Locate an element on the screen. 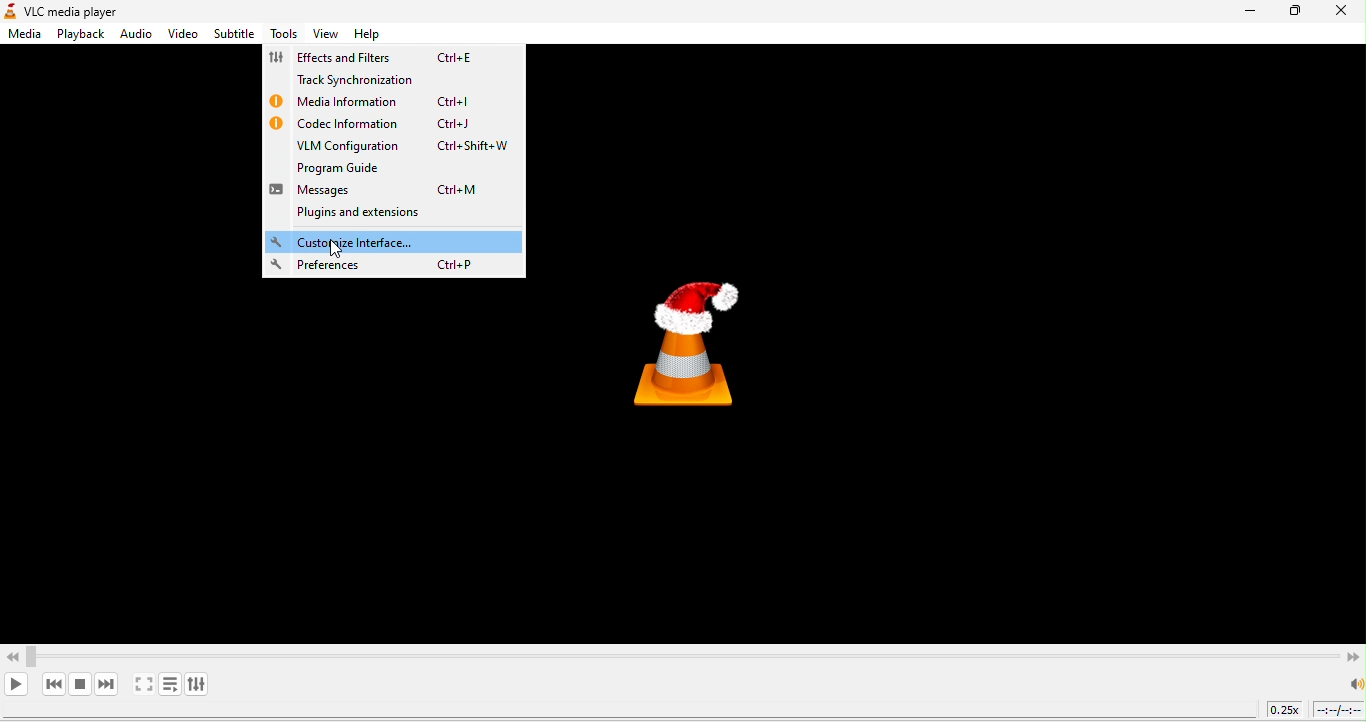 This screenshot has width=1366, height=722. stop playback is located at coordinates (79, 684).